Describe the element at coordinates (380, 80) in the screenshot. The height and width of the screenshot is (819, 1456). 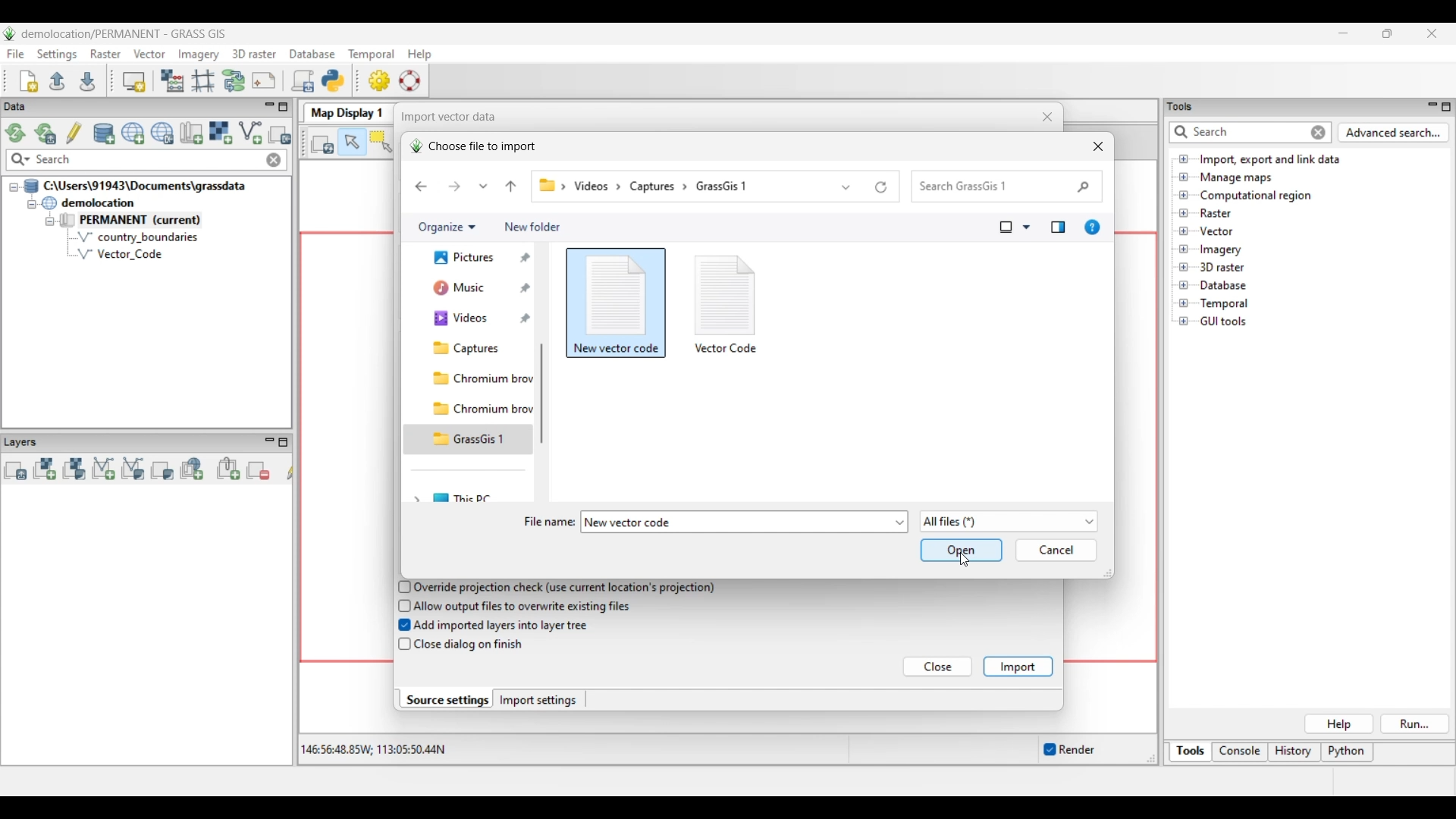
I see `GUI settings` at that location.